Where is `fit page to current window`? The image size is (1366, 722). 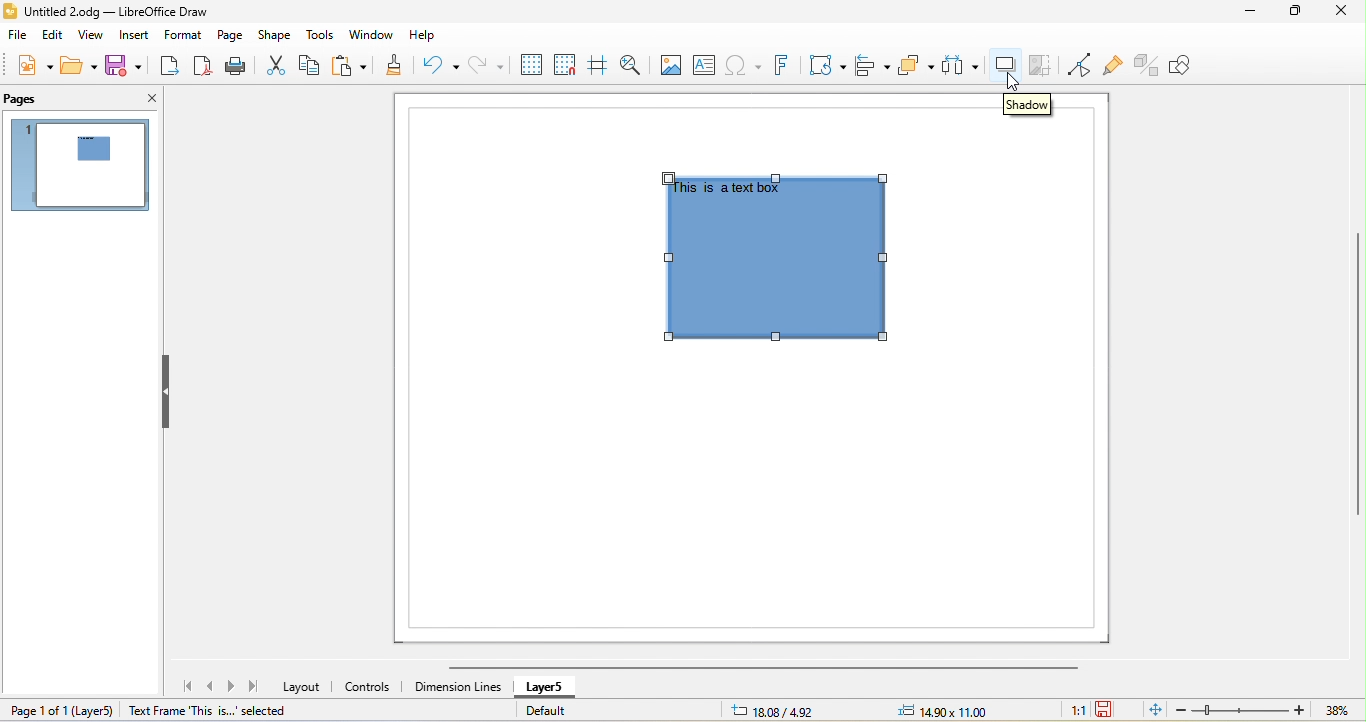 fit page to current window is located at coordinates (1154, 710).